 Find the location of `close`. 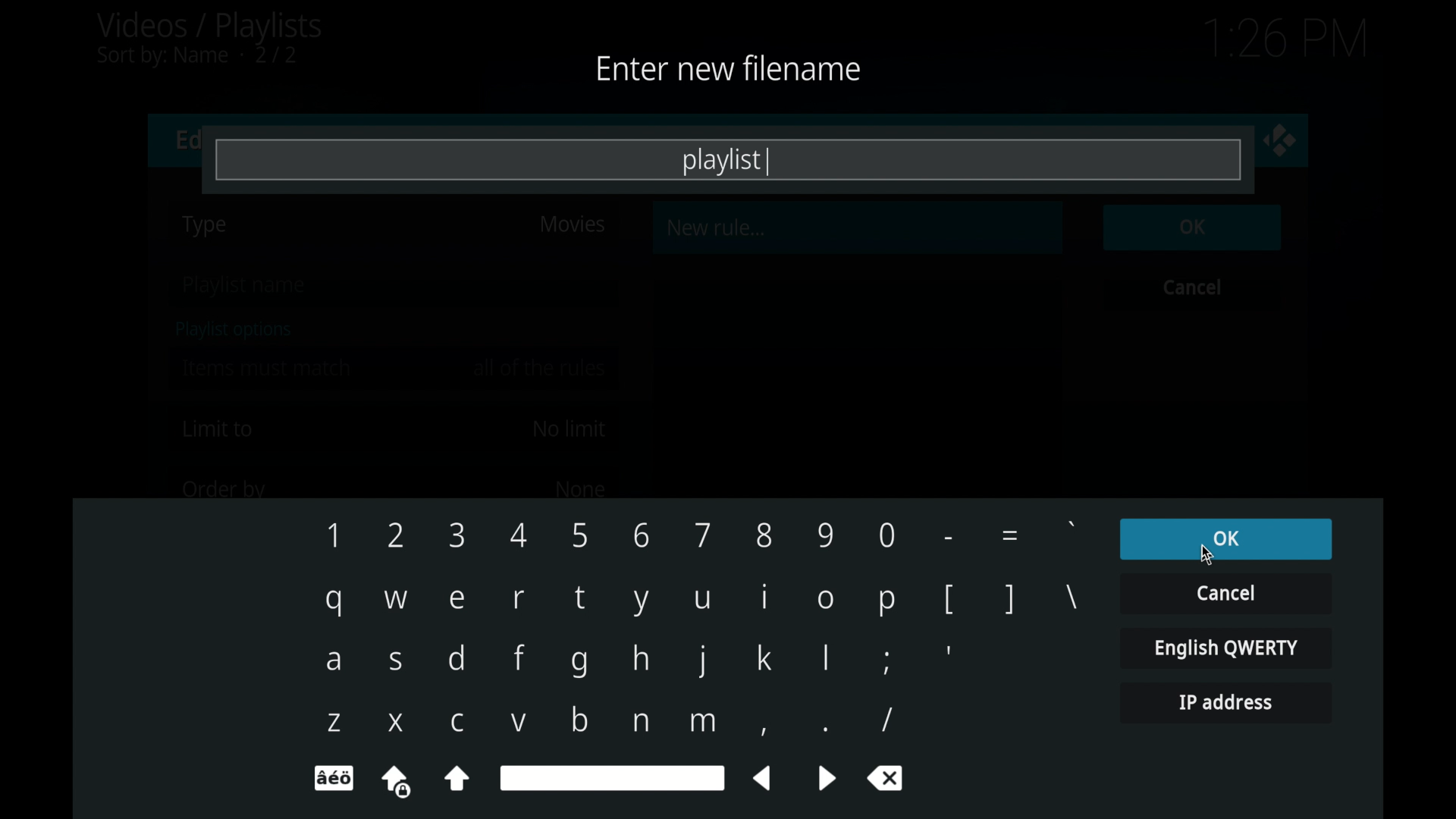

close is located at coordinates (1280, 140).